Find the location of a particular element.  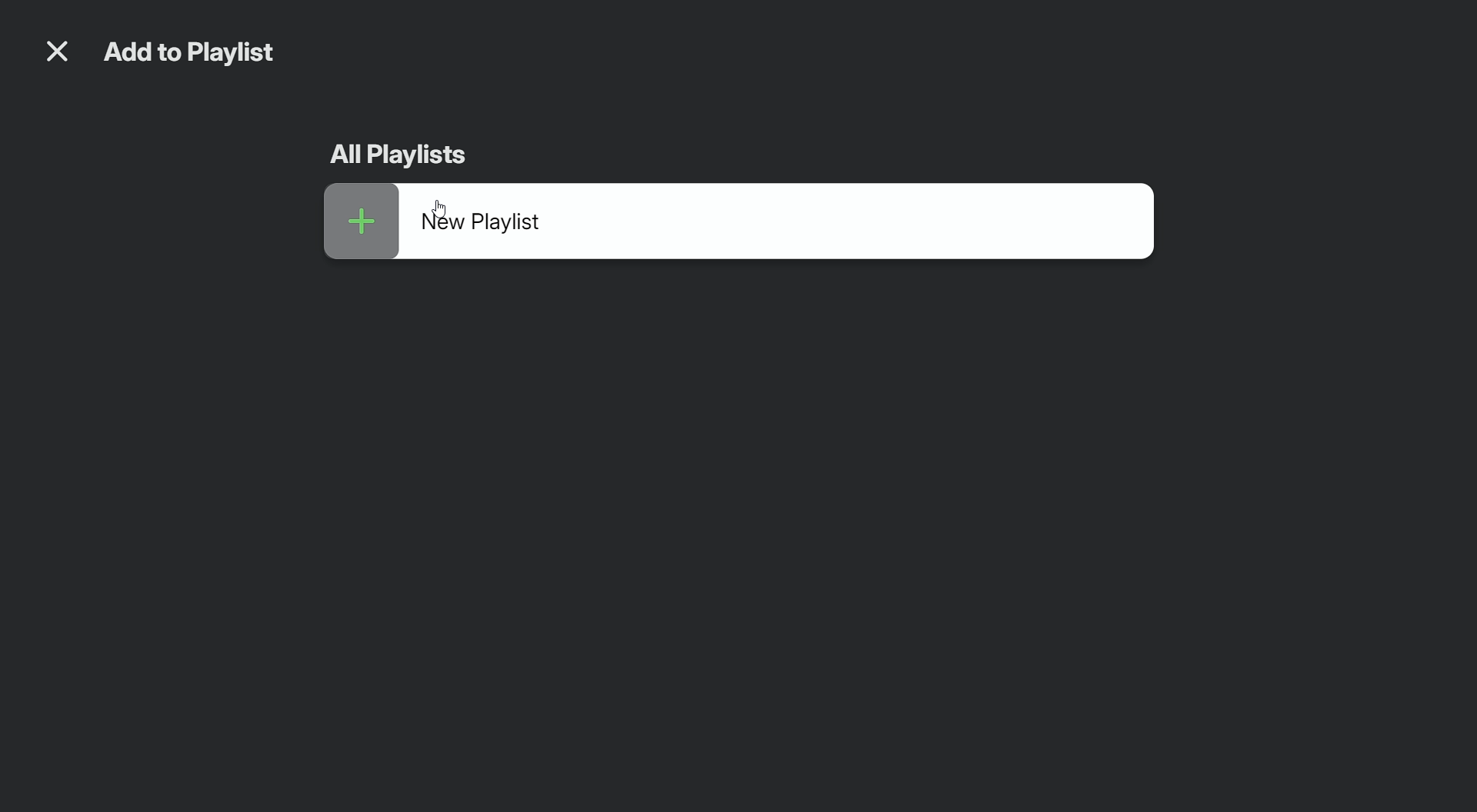

Close is located at coordinates (56, 55).